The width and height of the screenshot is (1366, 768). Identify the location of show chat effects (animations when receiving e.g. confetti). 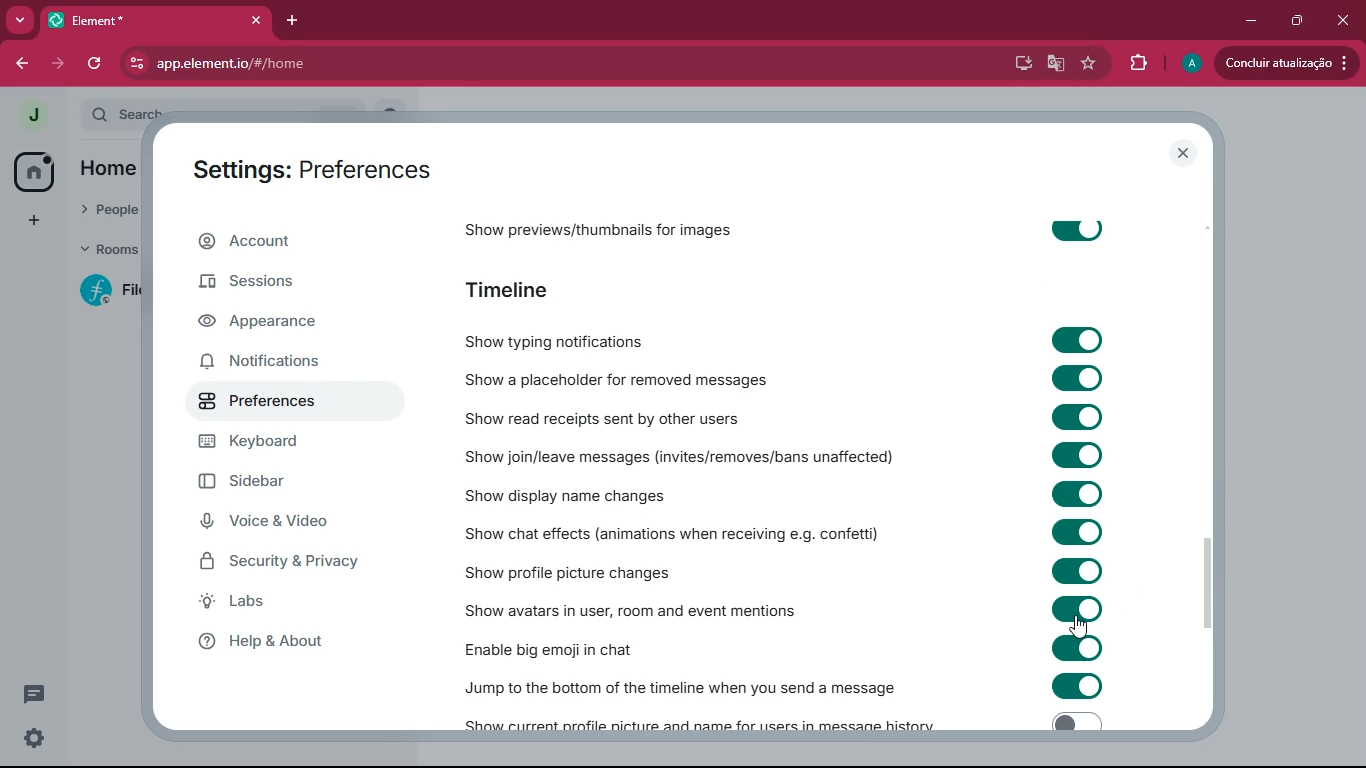
(668, 533).